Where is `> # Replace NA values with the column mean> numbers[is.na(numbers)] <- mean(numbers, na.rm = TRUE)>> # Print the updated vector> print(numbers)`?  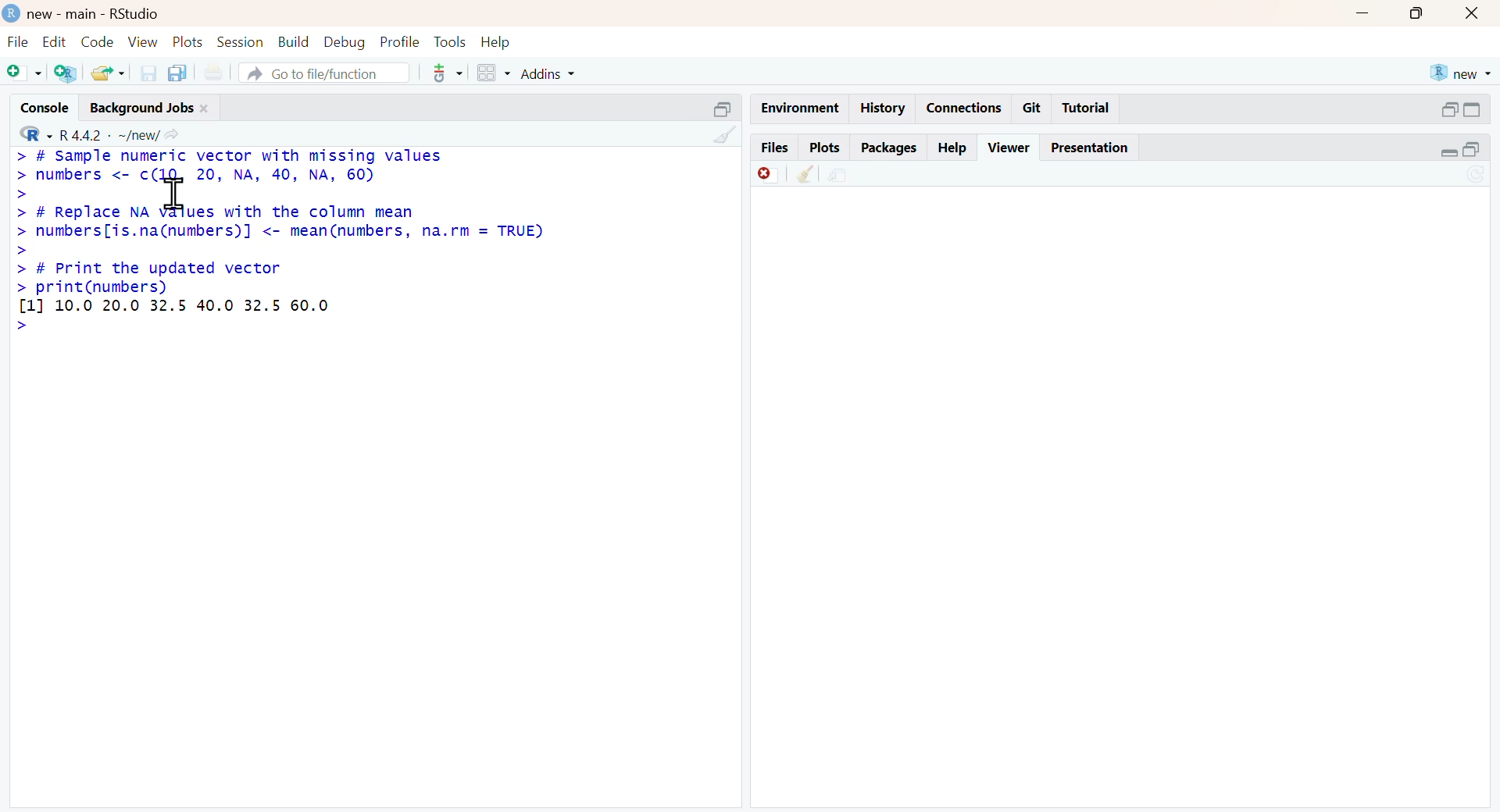
> # Replace NA values with the column mean> numbers[is.na(numbers)] <- mean(numbers, na.rm = TRUE)>> # Print the updated vector> print(numbers) is located at coordinates (280, 249).